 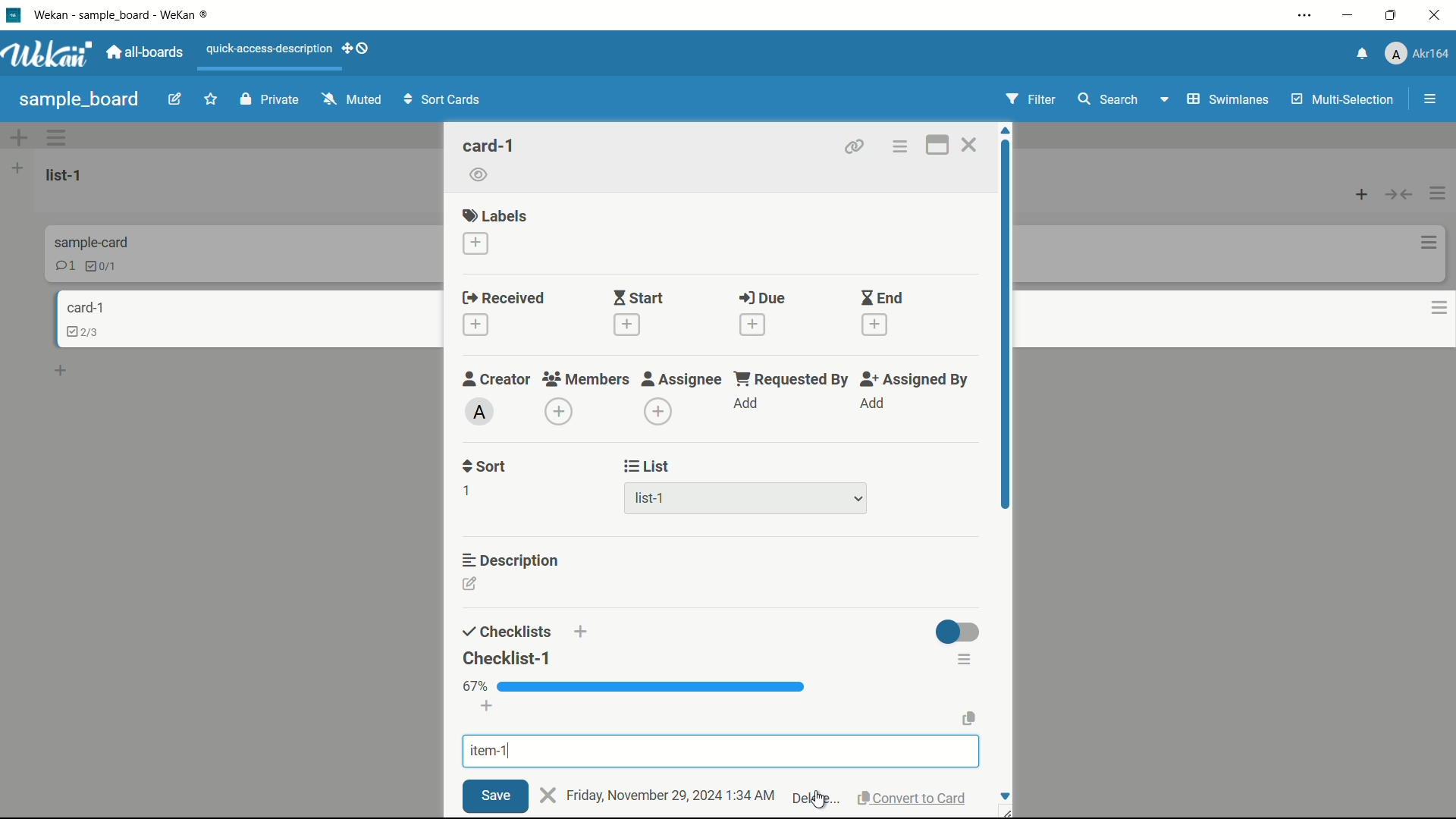 What do you see at coordinates (69, 175) in the screenshot?
I see `list name` at bounding box center [69, 175].